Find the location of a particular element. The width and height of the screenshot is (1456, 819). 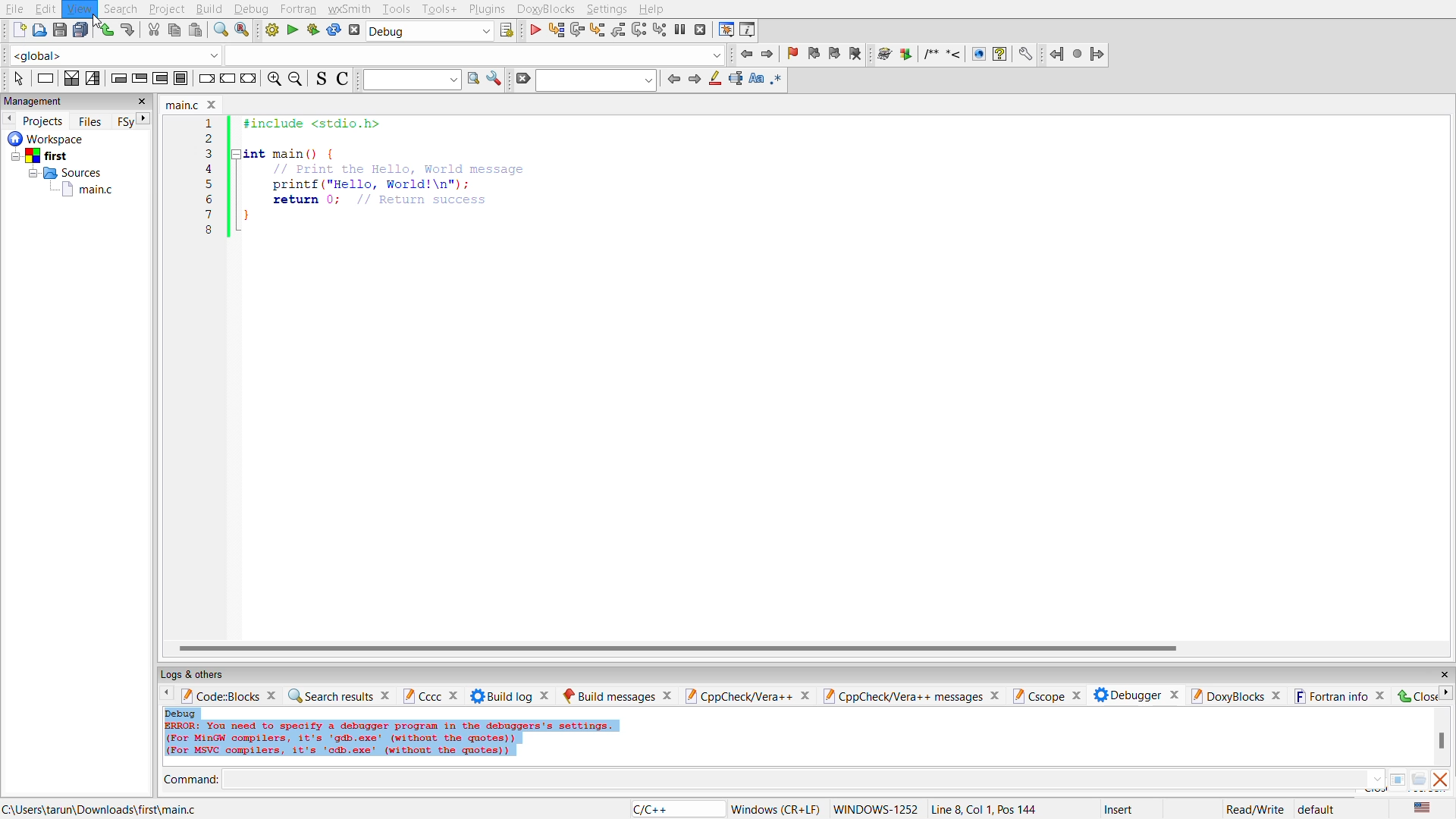

jump back is located at coordinates (743, 55).